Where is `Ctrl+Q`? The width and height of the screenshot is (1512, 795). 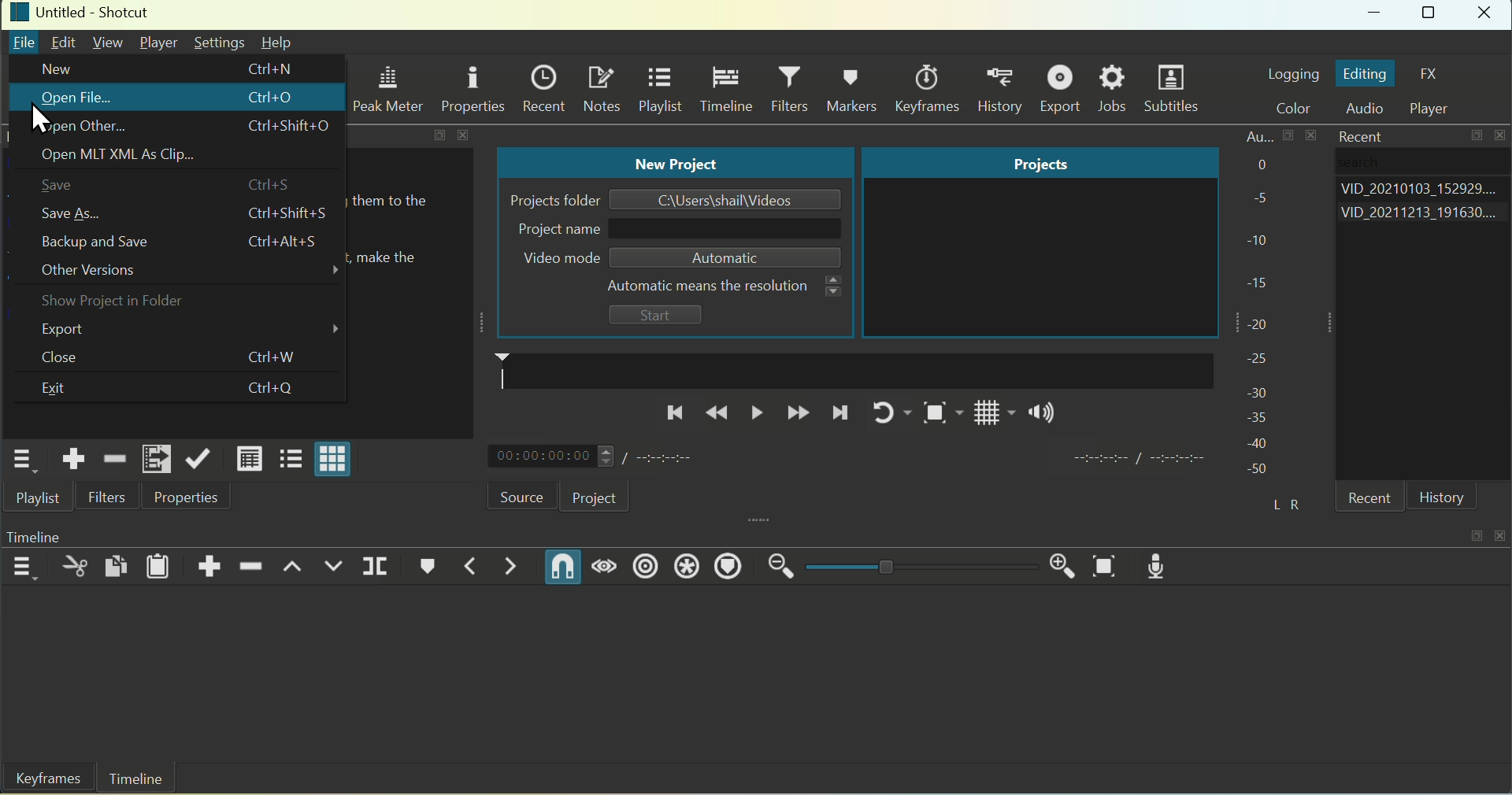
Ctrl+Q is located at coordinates (274, 389).